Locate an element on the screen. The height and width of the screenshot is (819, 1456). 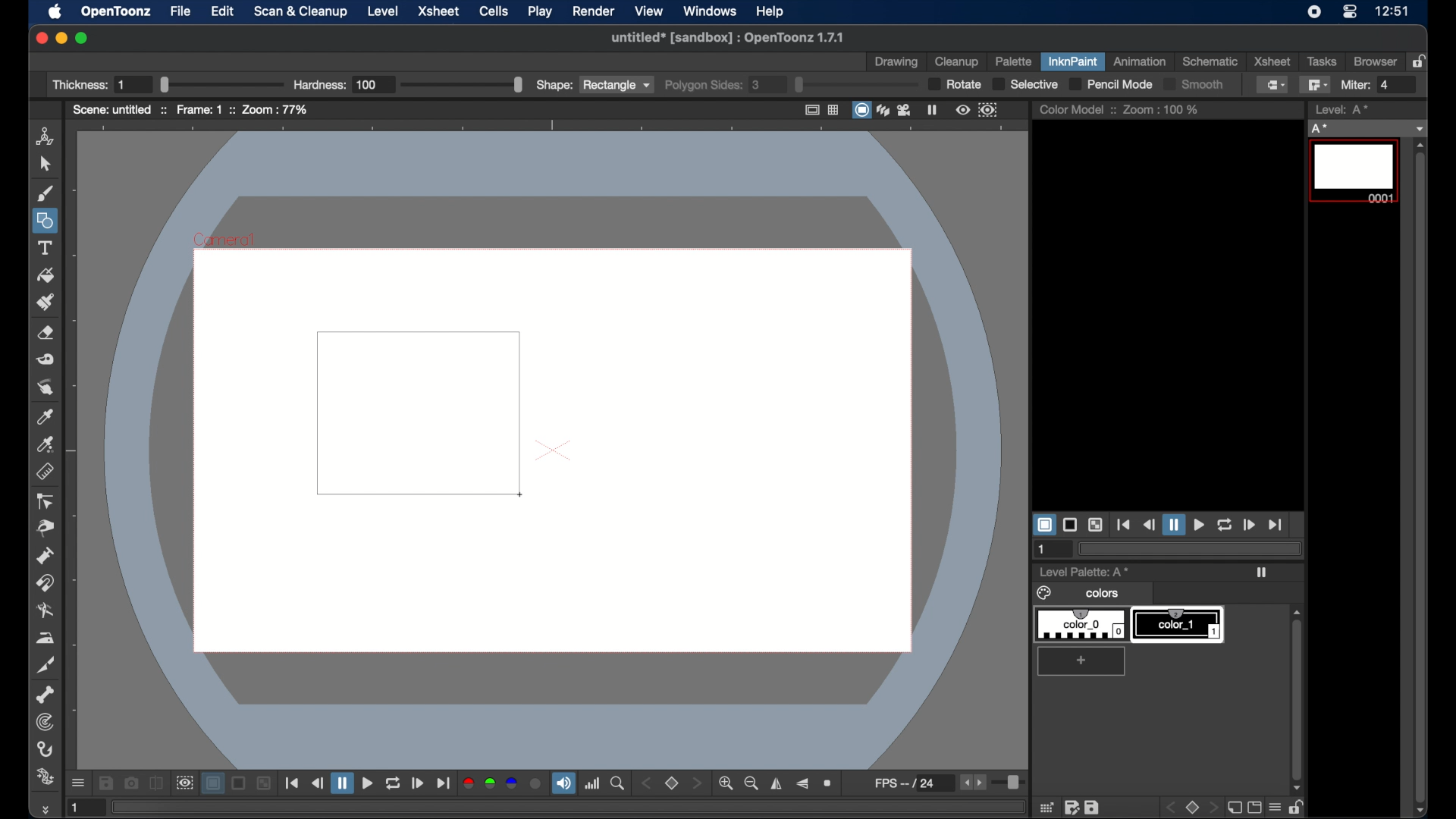
fps is located at coordinates (913, 783).